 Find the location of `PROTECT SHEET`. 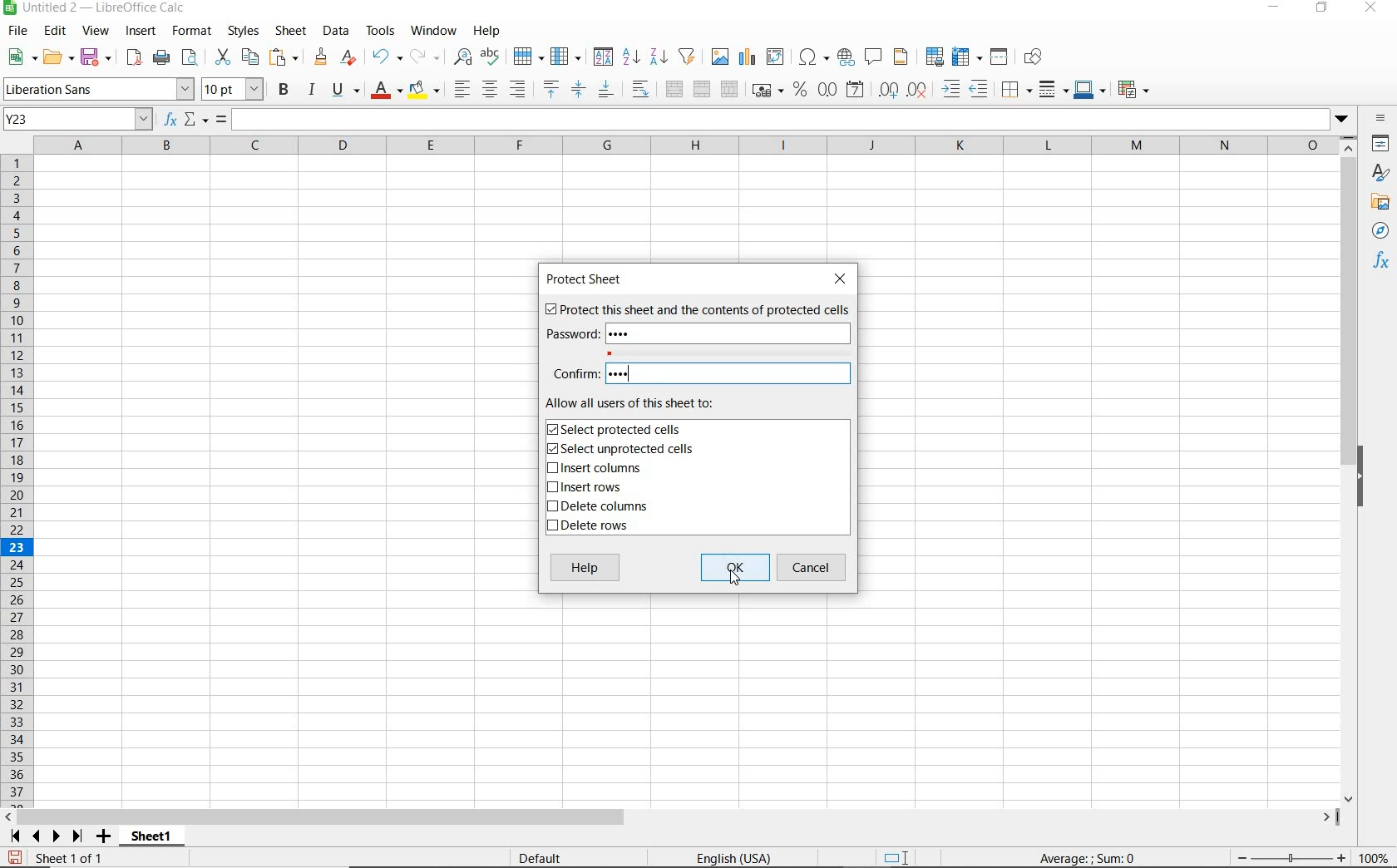

PROTECT SHEET is located at coordinates (588, 279).